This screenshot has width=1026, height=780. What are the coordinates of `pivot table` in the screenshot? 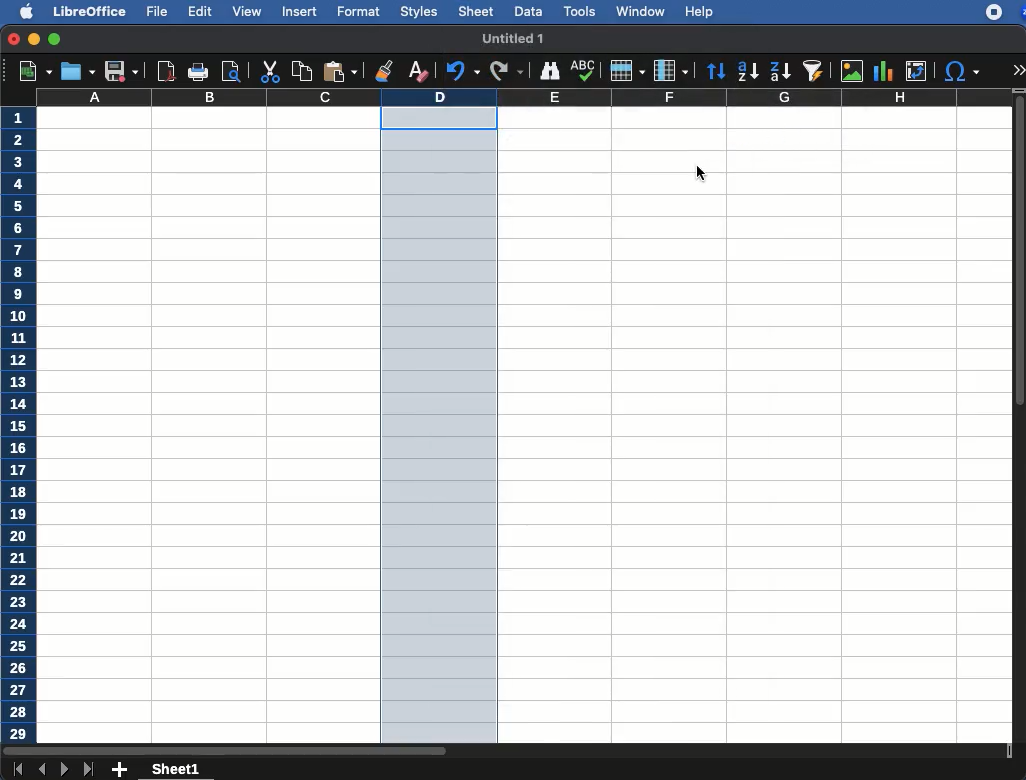 It's located at (916, 71).